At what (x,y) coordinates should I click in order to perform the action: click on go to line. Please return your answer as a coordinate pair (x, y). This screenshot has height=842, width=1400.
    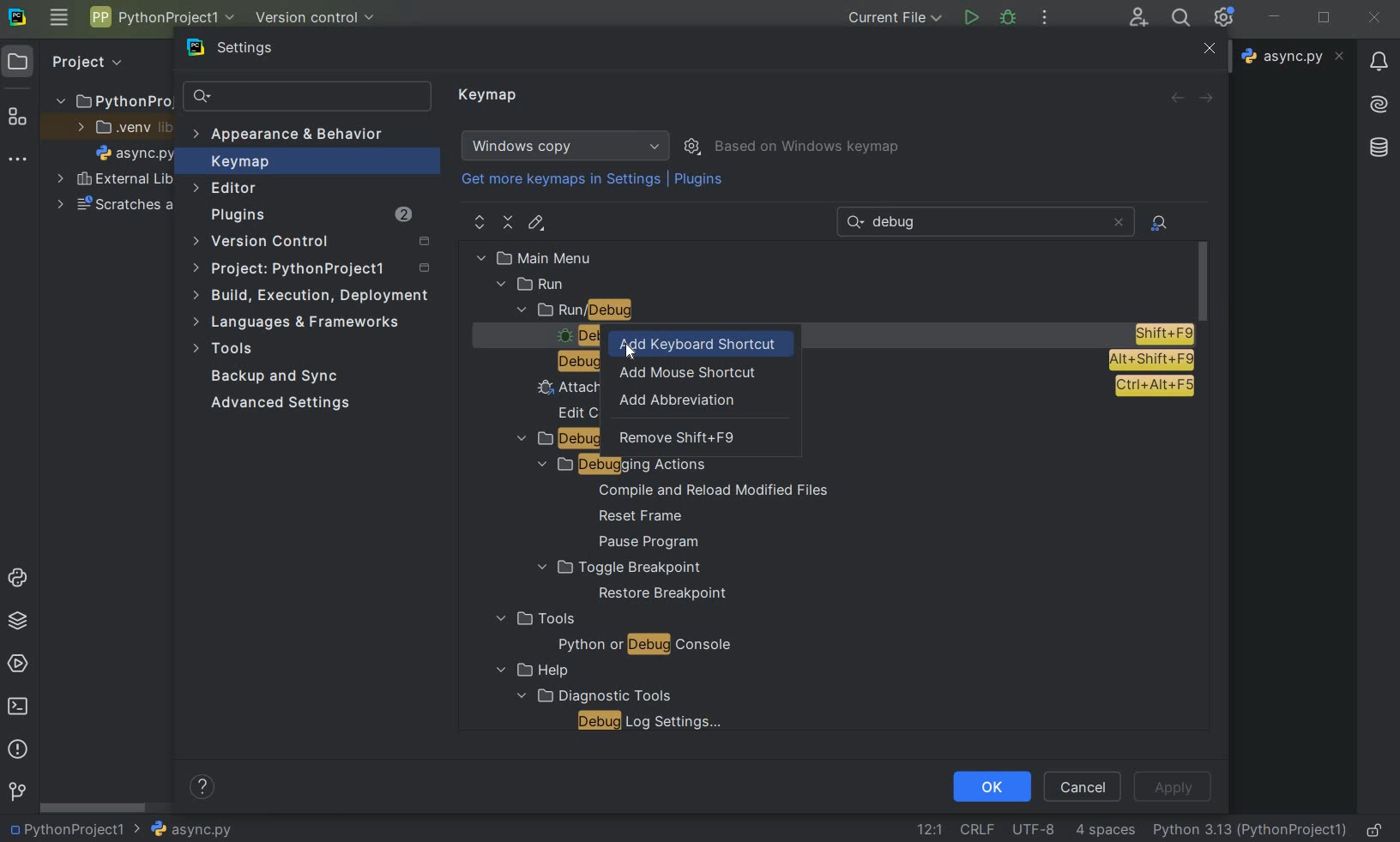
    Looking at the image, I should click on (929, 829).